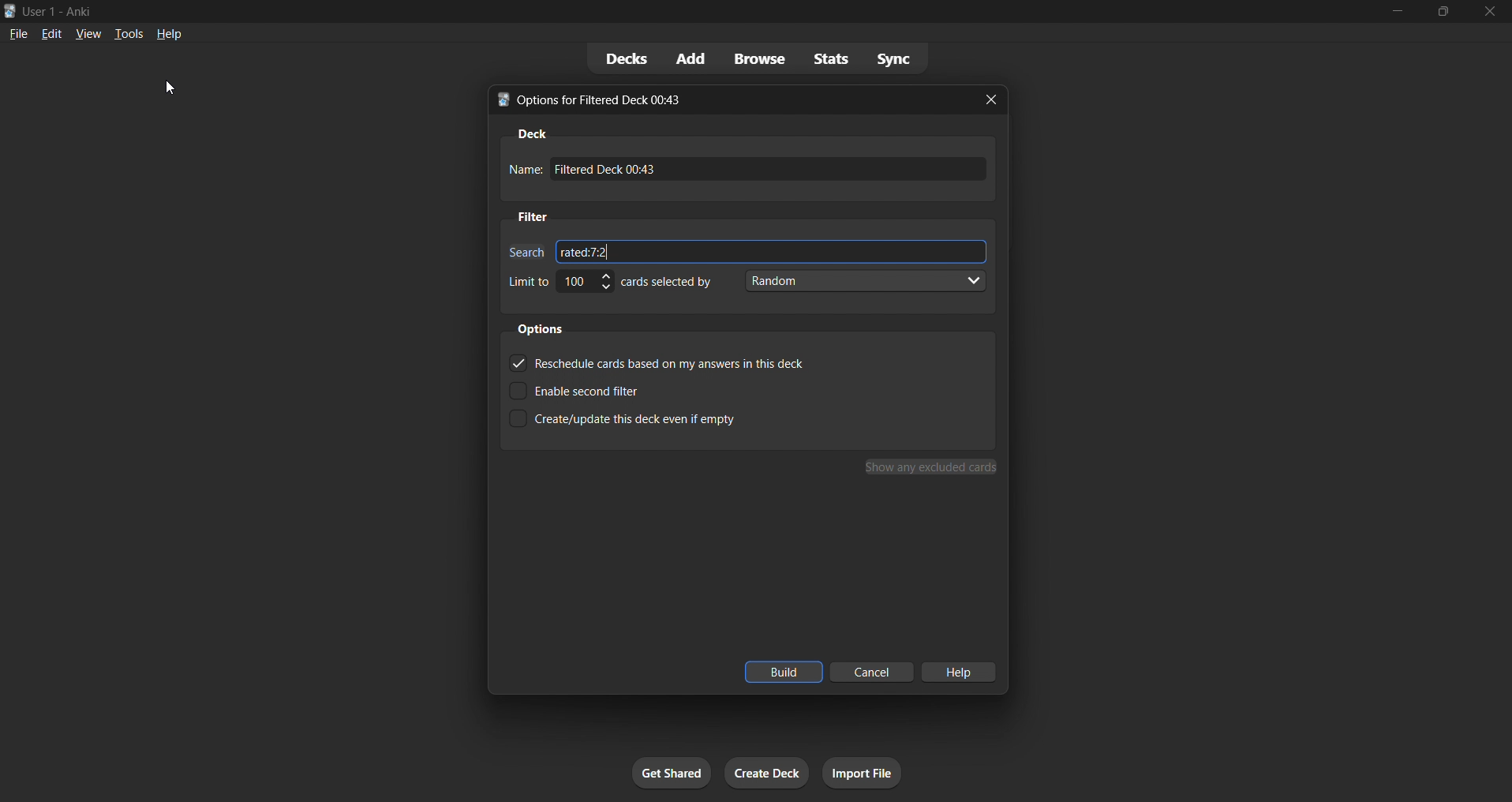 This screenshot has width=1512, height=802. I want to click on tab title, so click(721, 99).